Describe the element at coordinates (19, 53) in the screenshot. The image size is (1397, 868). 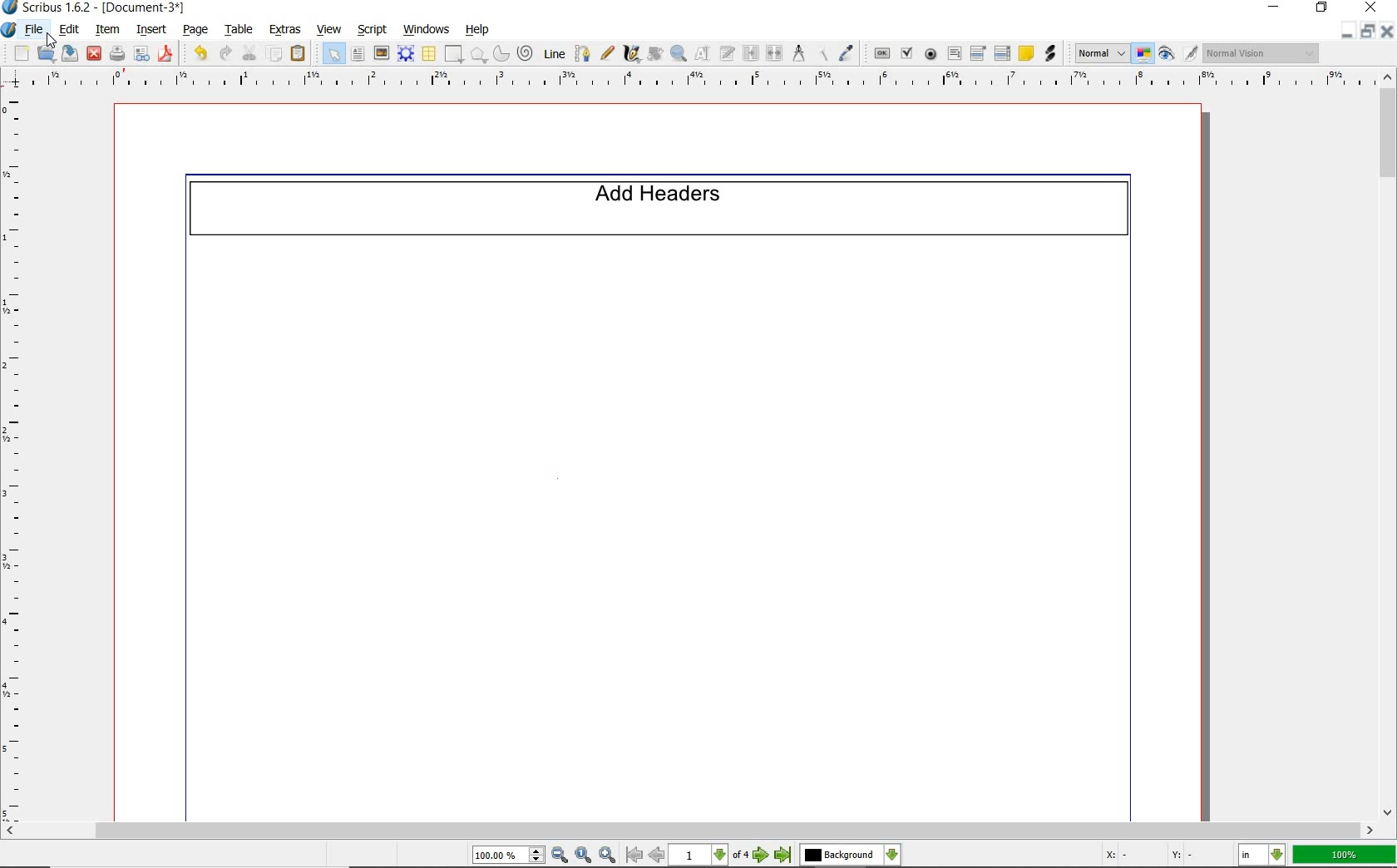
I see `new` at that location.